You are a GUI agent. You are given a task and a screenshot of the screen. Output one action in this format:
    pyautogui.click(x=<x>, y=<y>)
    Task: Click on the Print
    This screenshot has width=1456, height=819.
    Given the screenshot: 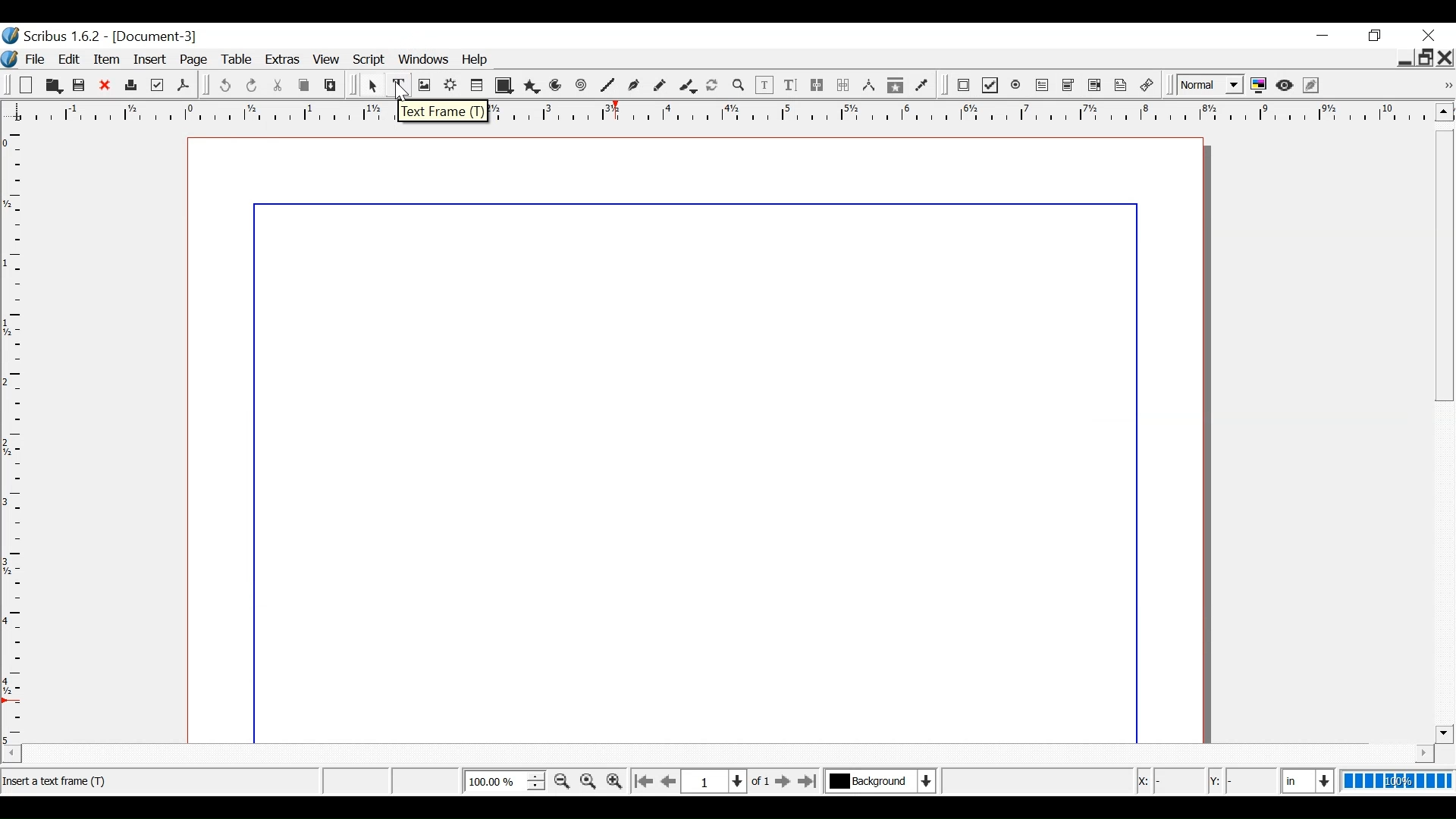 What is the action you would take?
    pyautogui.click(x=130, y=83)
    